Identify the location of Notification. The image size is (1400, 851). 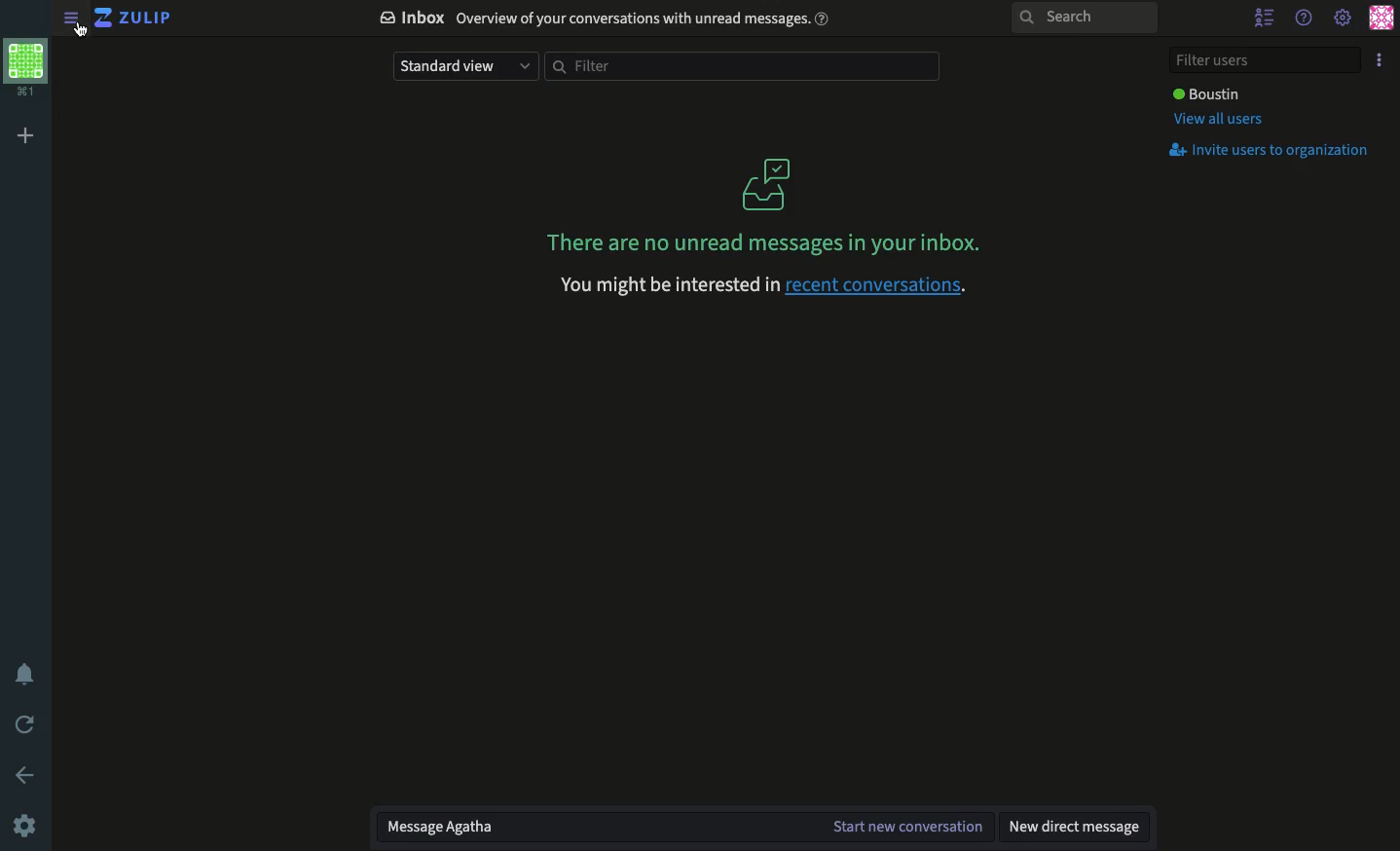
(22, 672).